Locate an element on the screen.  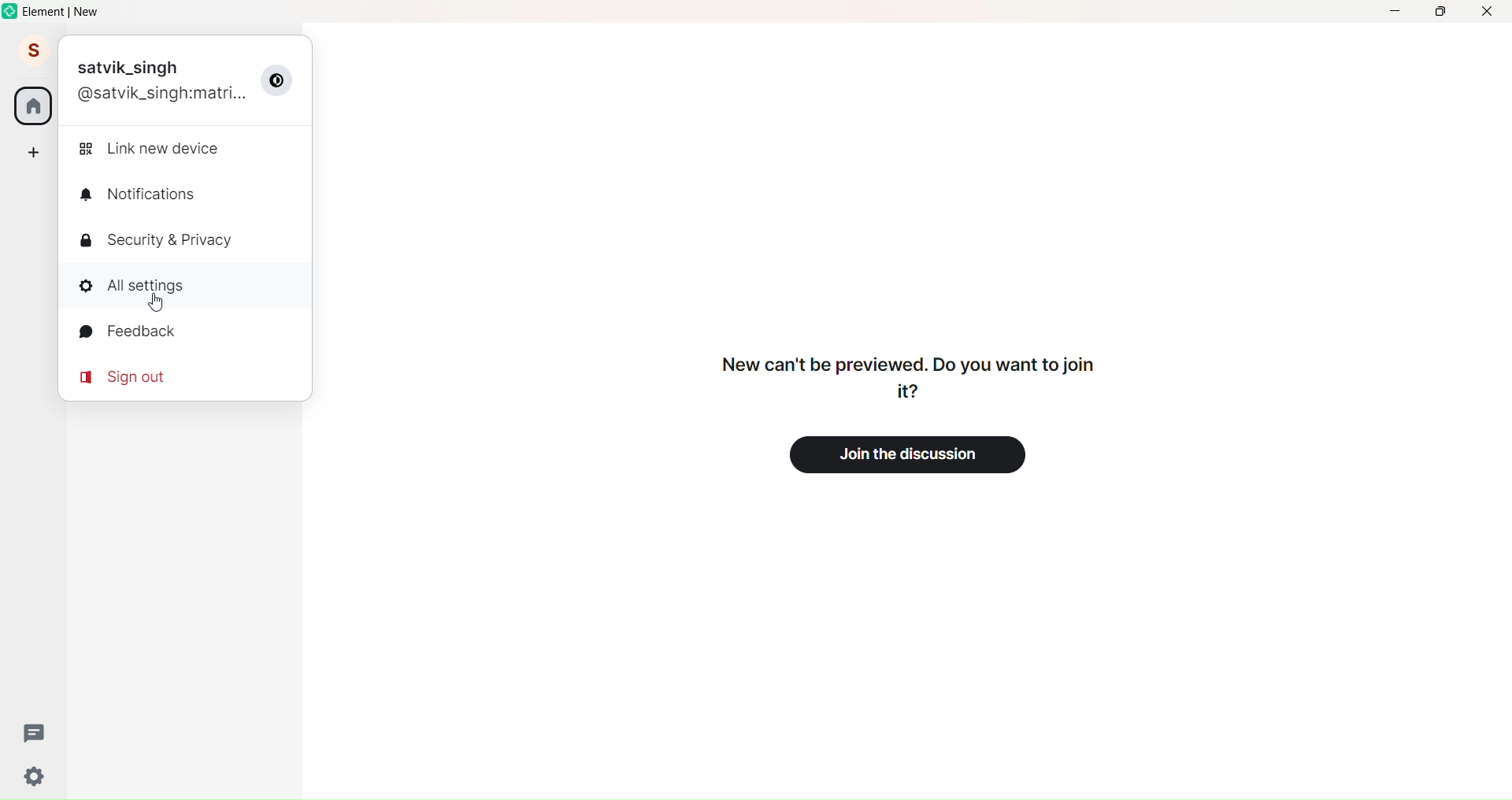
Darkmode is located at coordinates (280, 80).